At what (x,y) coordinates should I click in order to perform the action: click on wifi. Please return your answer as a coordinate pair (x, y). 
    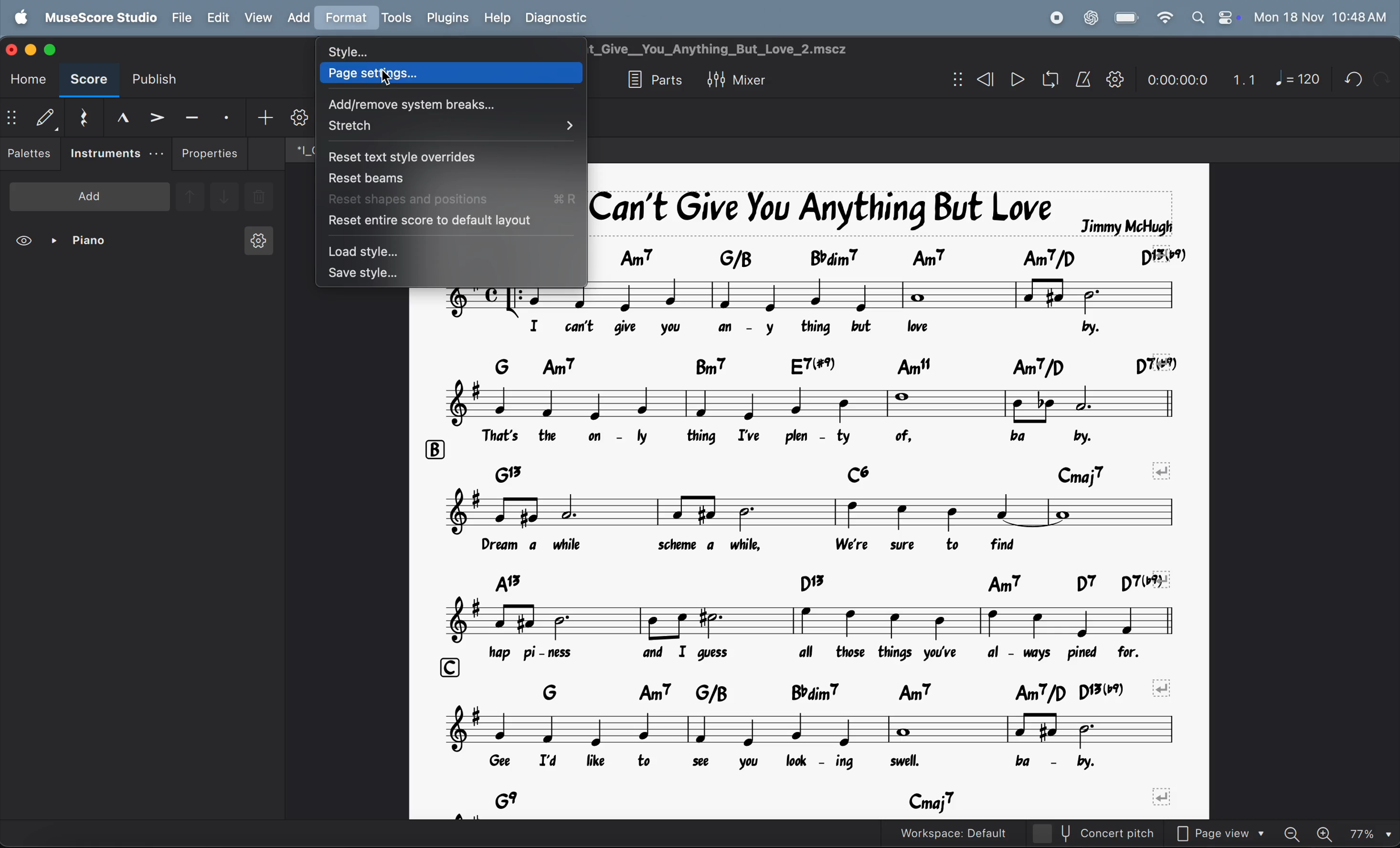
    Looking at the image, I should click on (1163, 18).